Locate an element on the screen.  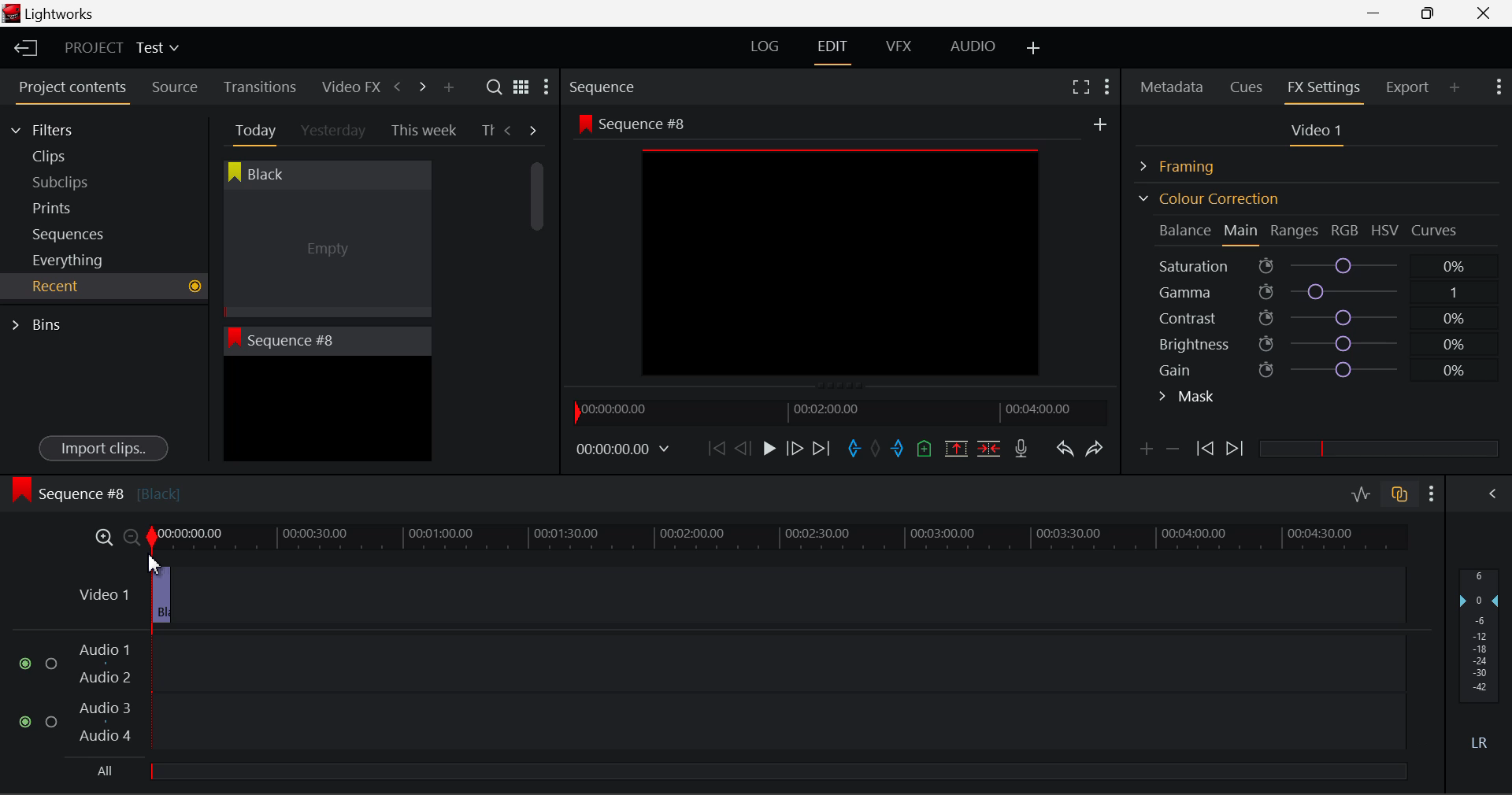
Video 1 Settings is located at coordinates (1319, 134).